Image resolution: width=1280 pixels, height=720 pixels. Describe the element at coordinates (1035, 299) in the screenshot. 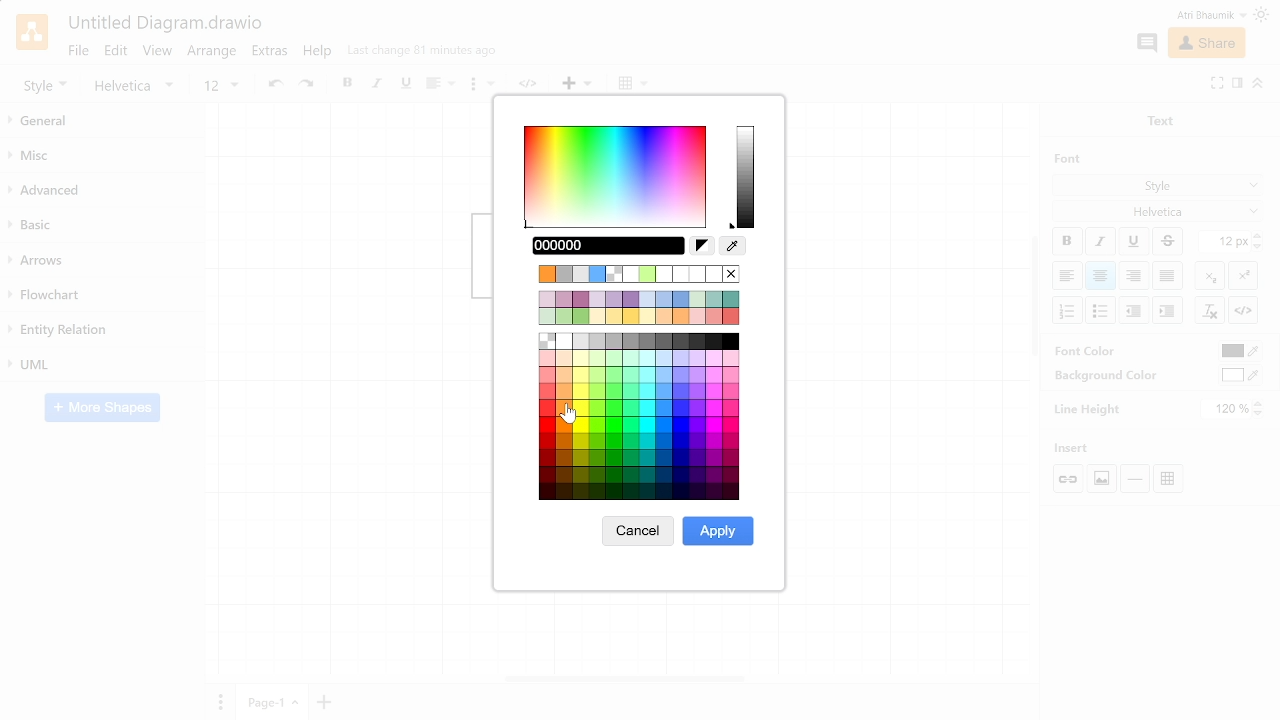

I see `Vertical scrollbar` at that location.